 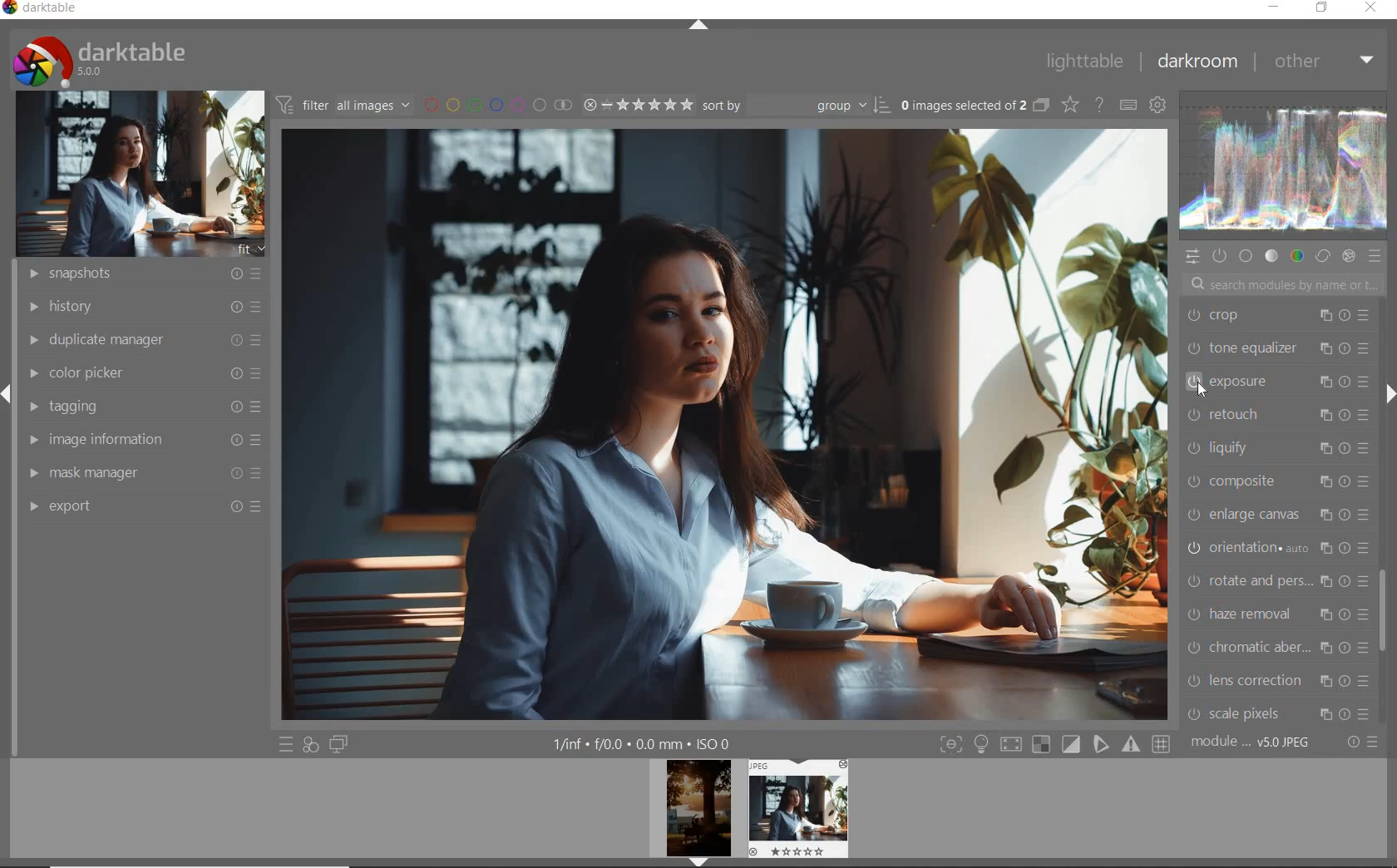 I want to click on MASK MANAGER, so click(x=141, y=472).